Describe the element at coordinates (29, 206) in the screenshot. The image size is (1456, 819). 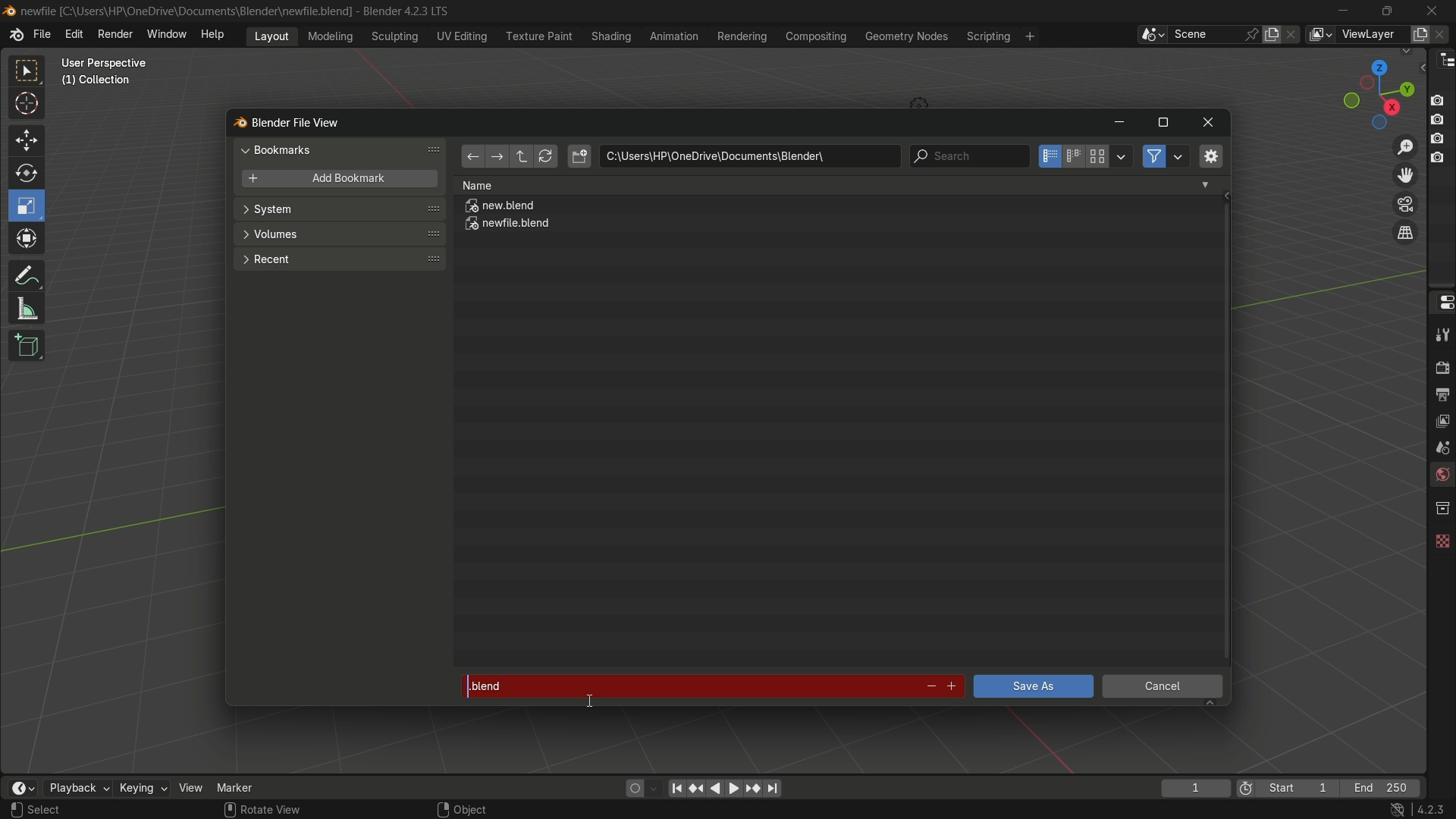
I see `scale` at that location.